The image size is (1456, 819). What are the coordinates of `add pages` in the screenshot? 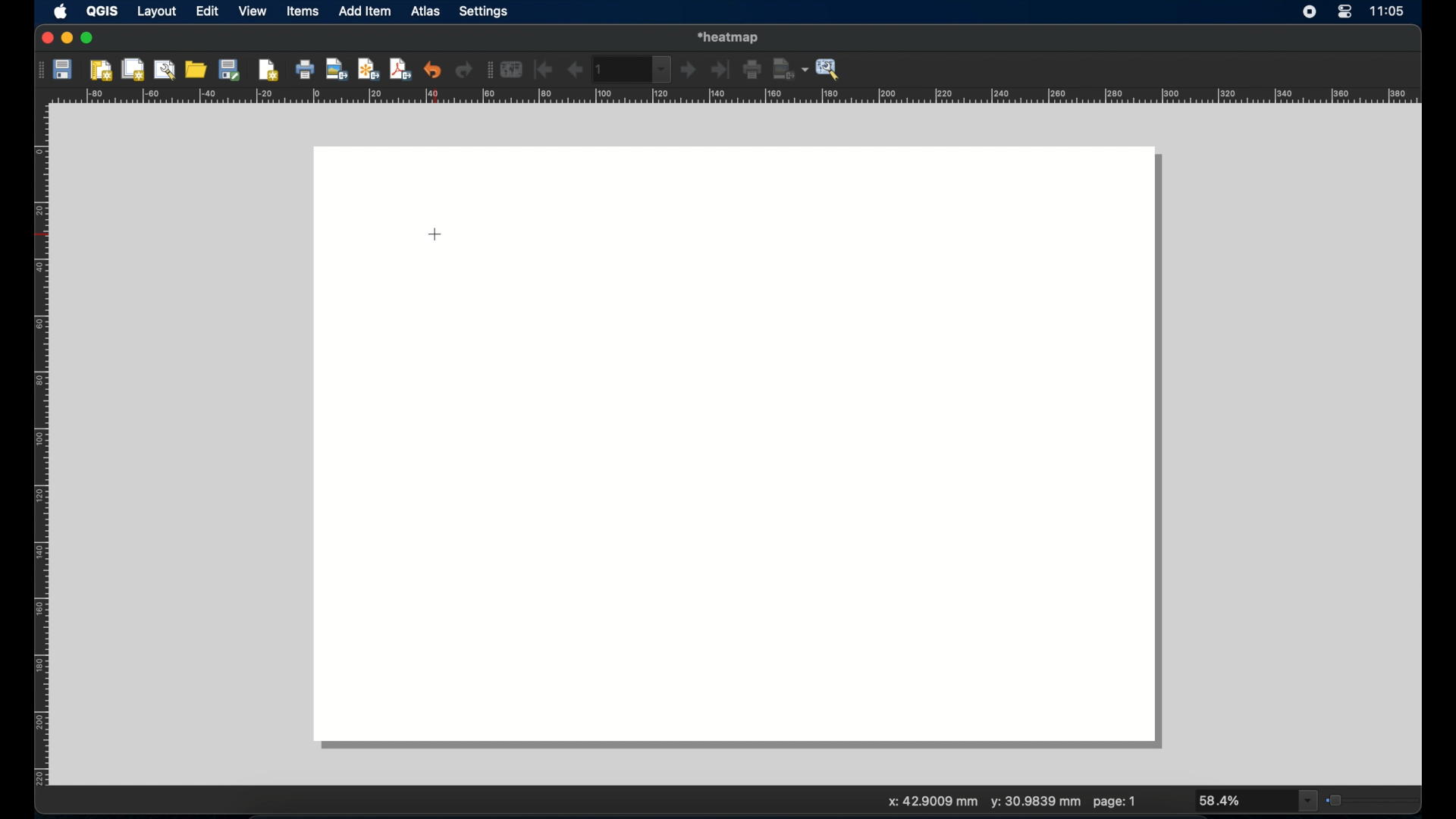 It's located at (268, 71).